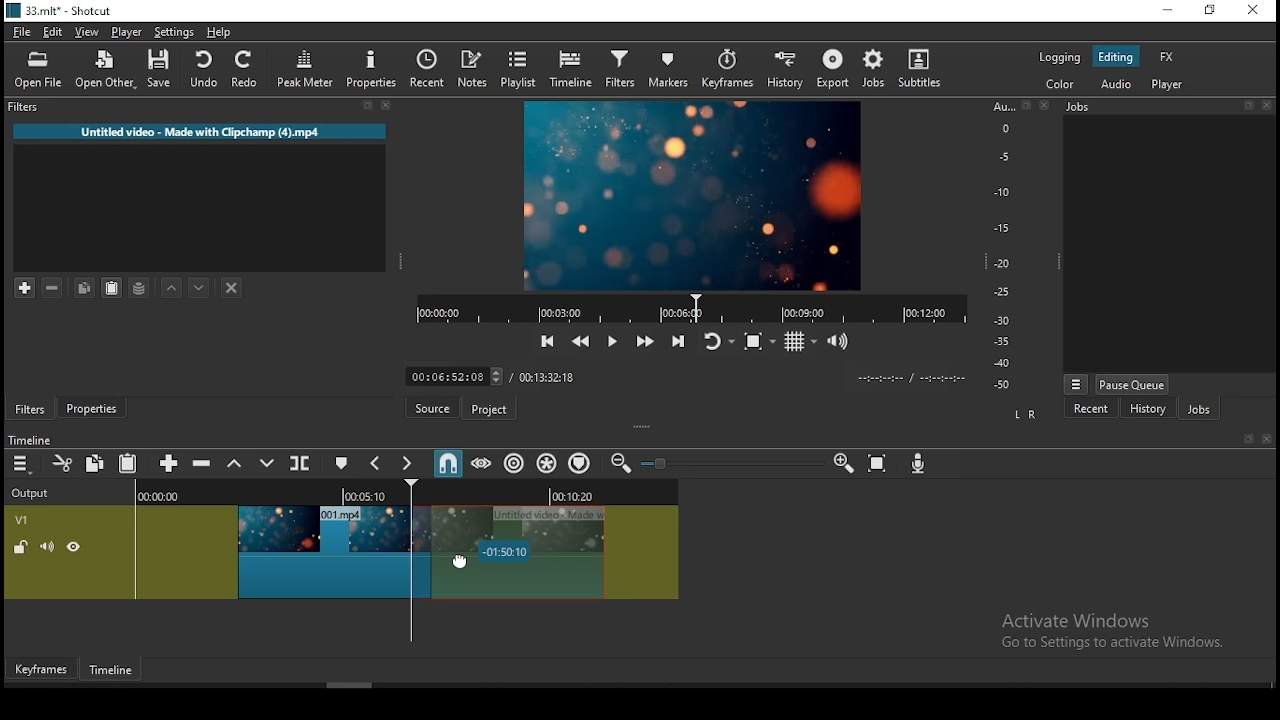 This screenshot has height=720, width=1280. What do you see at coordinates (19, 547) in the screenshot?
I see `(un)lock` at bounding box center [19, 547].